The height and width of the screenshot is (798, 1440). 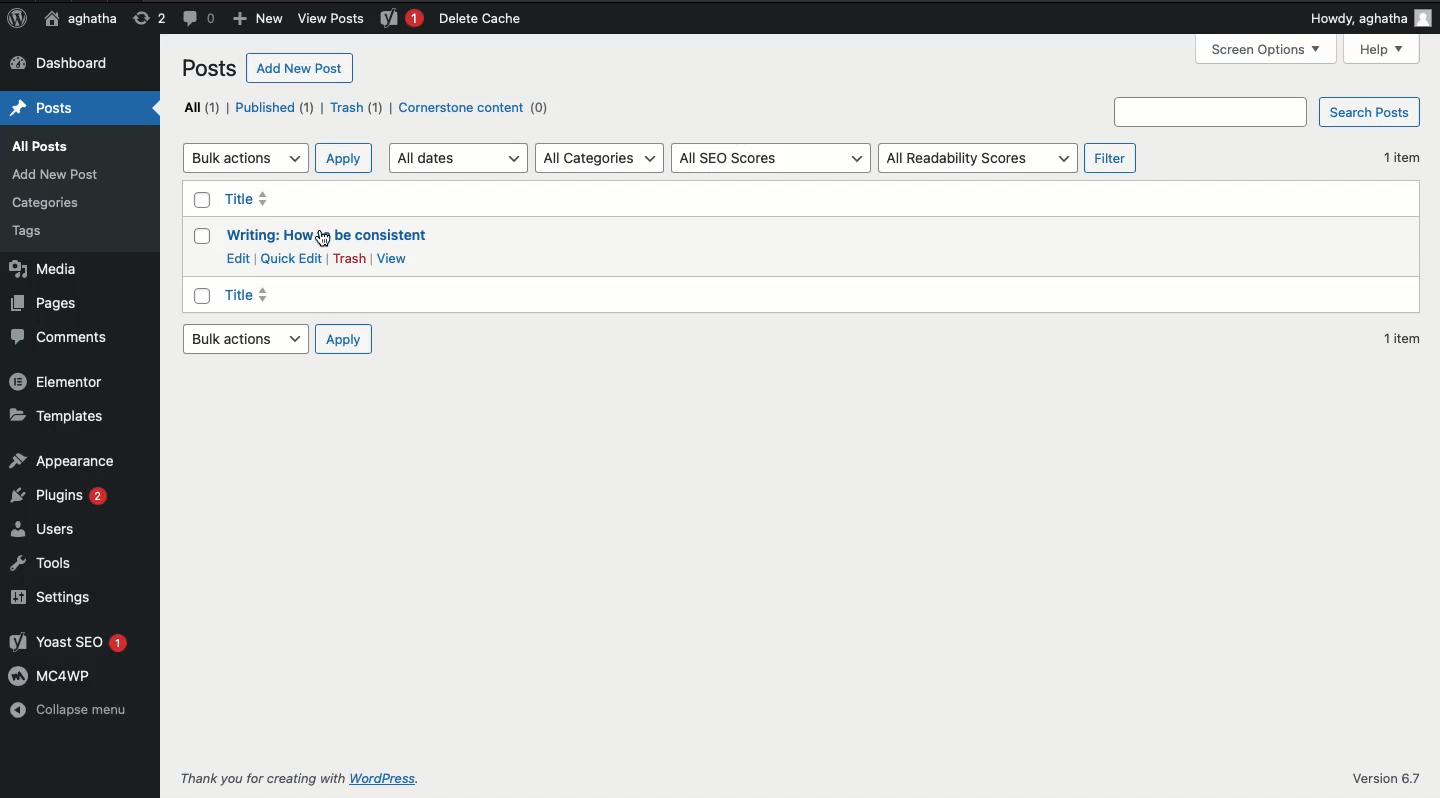 I want to click on Trash, so click(x=357, y=107).